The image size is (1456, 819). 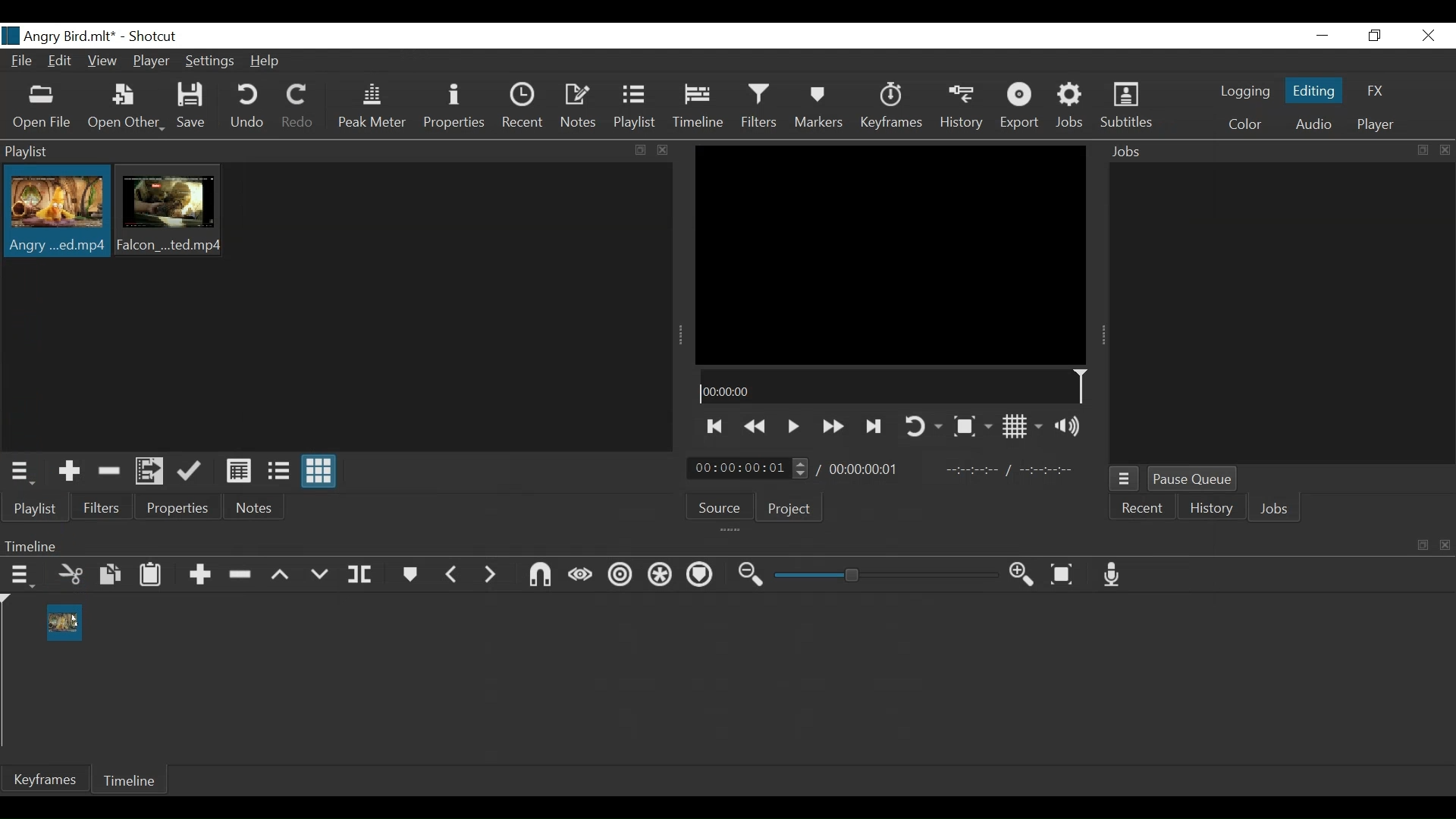 What do you see at coordinates (62, 36) in the screenshot?
I see `File Name` at bounding box center [62, 36].